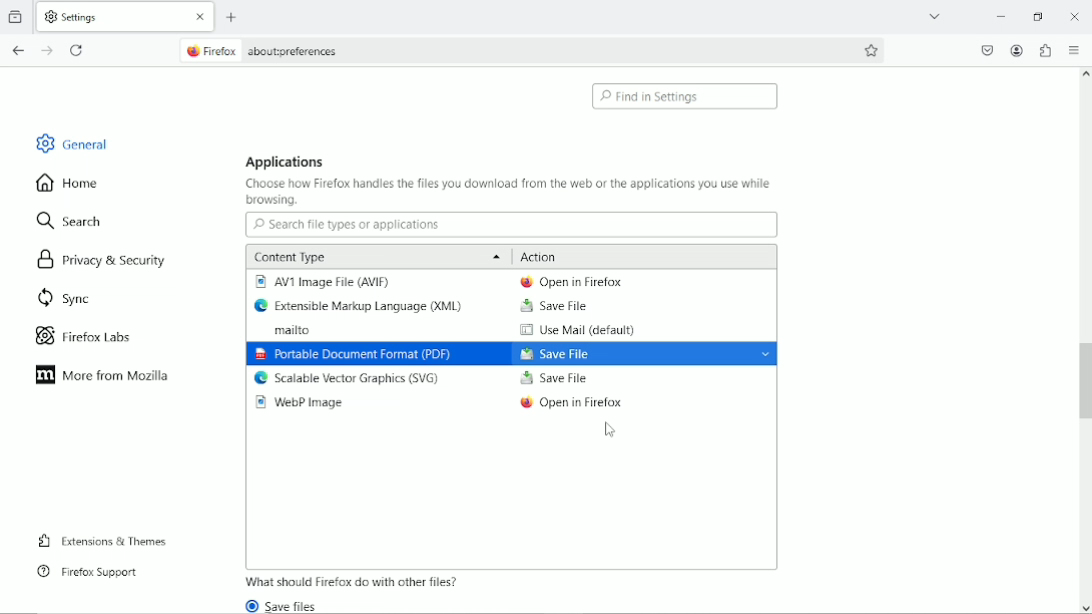 Image resolution: width=1092 pixels, height=614 pixels. I want to click on settings tab, so click(127, 15).